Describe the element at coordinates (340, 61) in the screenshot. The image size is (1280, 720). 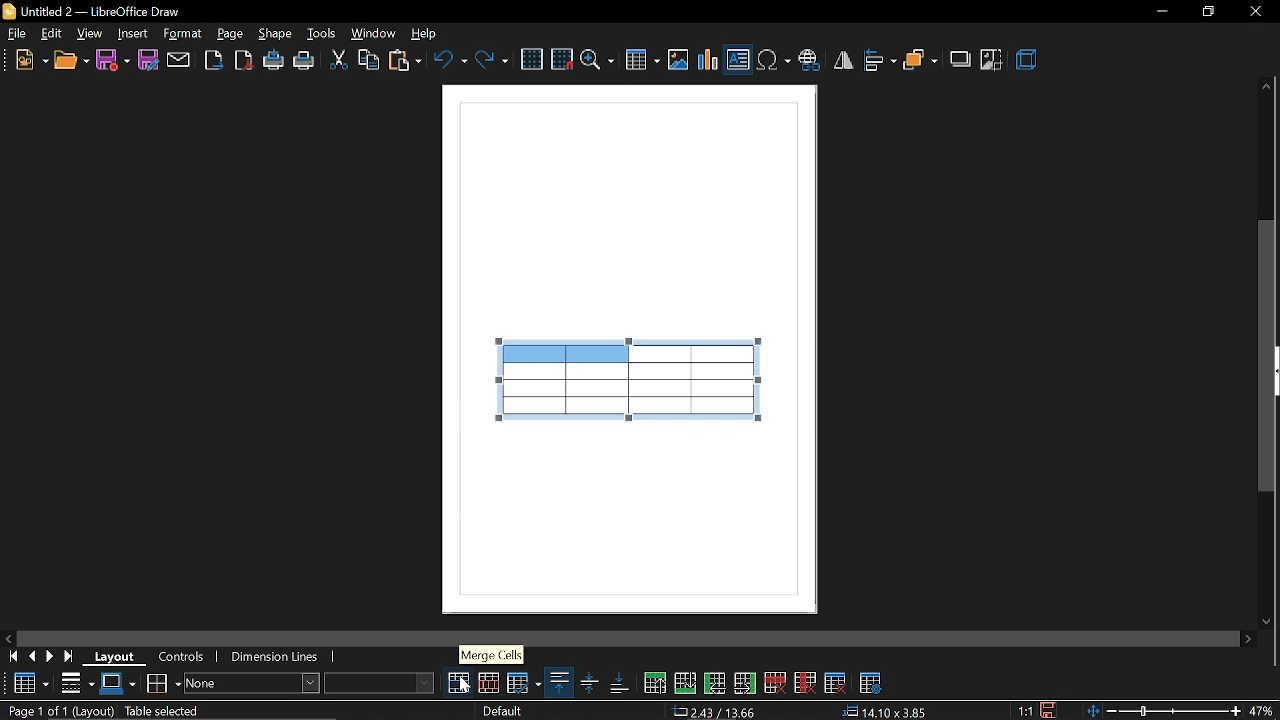
I see `cut ` at that location.